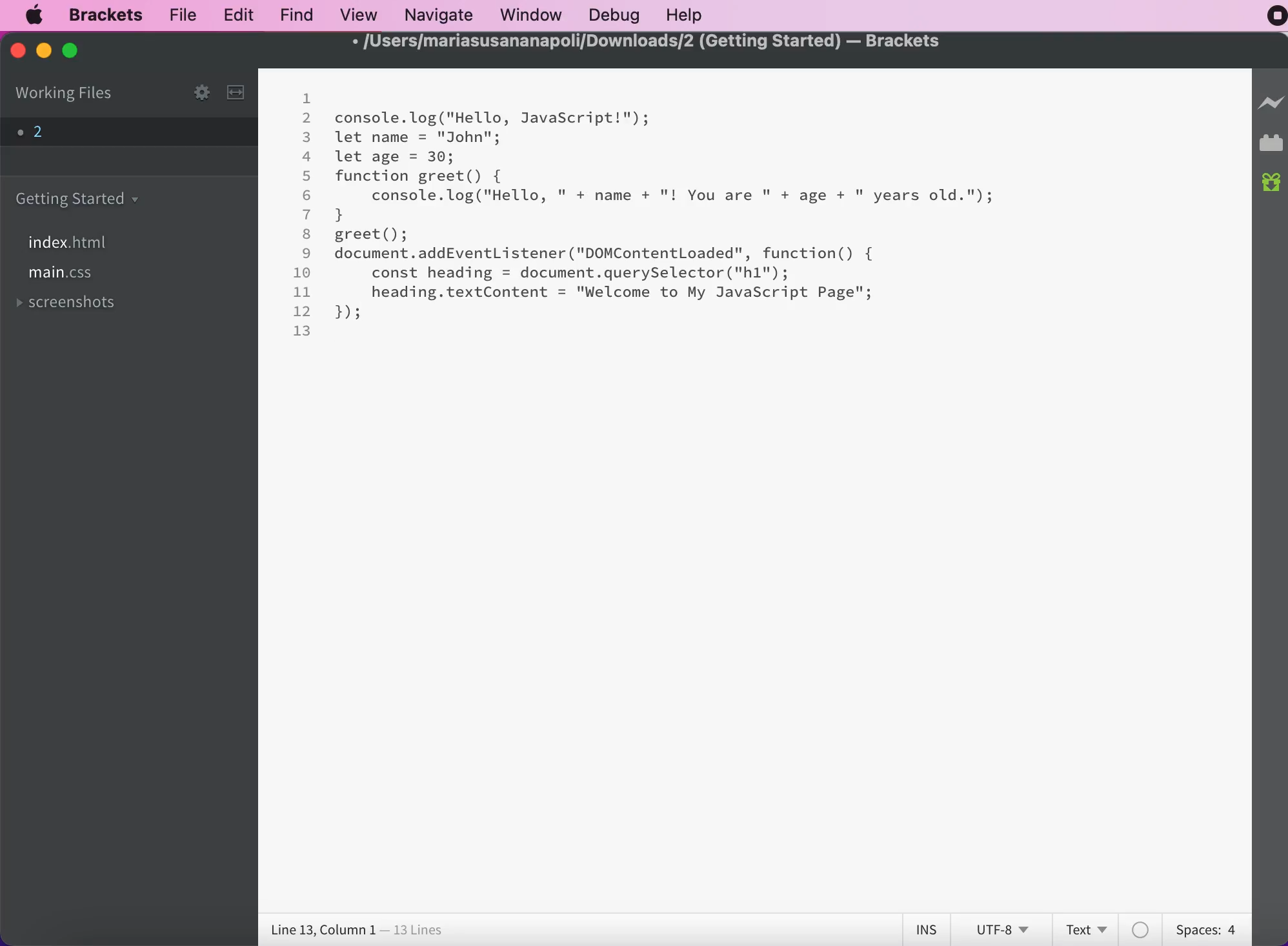 This screenshot has width=1288, height=946. I want to click on 13, so click(303, 330).